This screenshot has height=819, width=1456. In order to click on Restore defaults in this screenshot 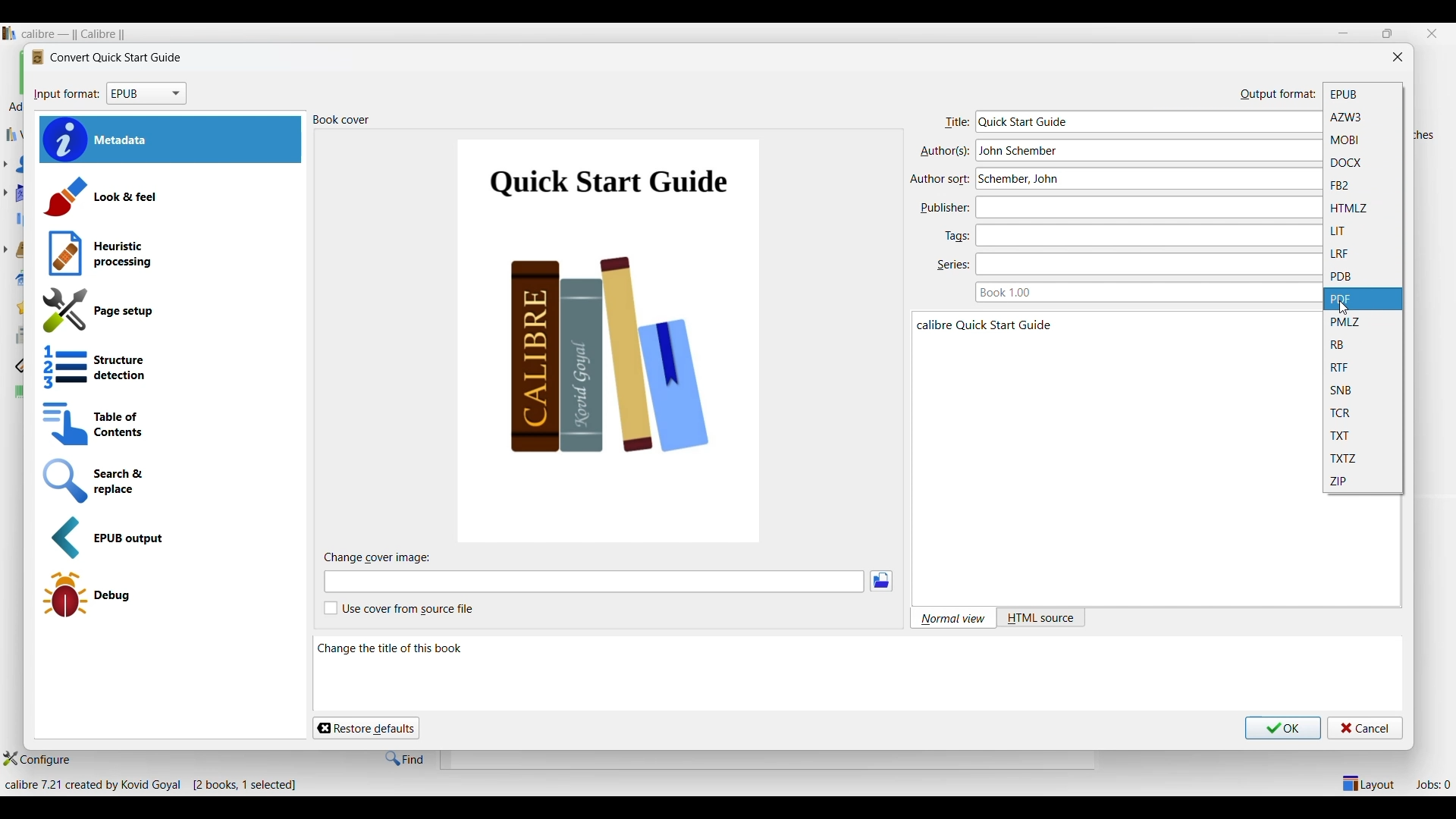, I will do `click(366, 729)`.